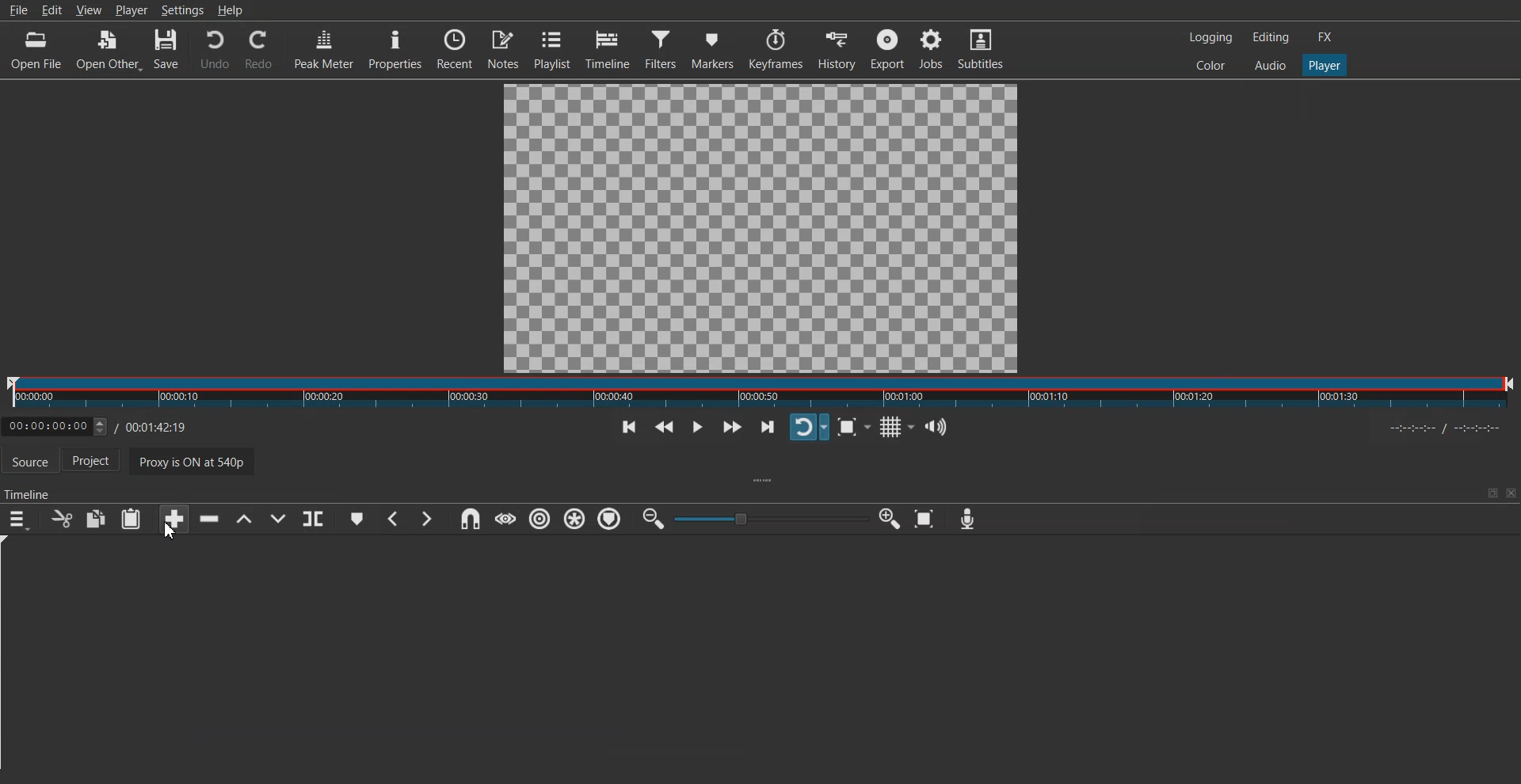  I want to click on Subtitles, so click(981, 48).